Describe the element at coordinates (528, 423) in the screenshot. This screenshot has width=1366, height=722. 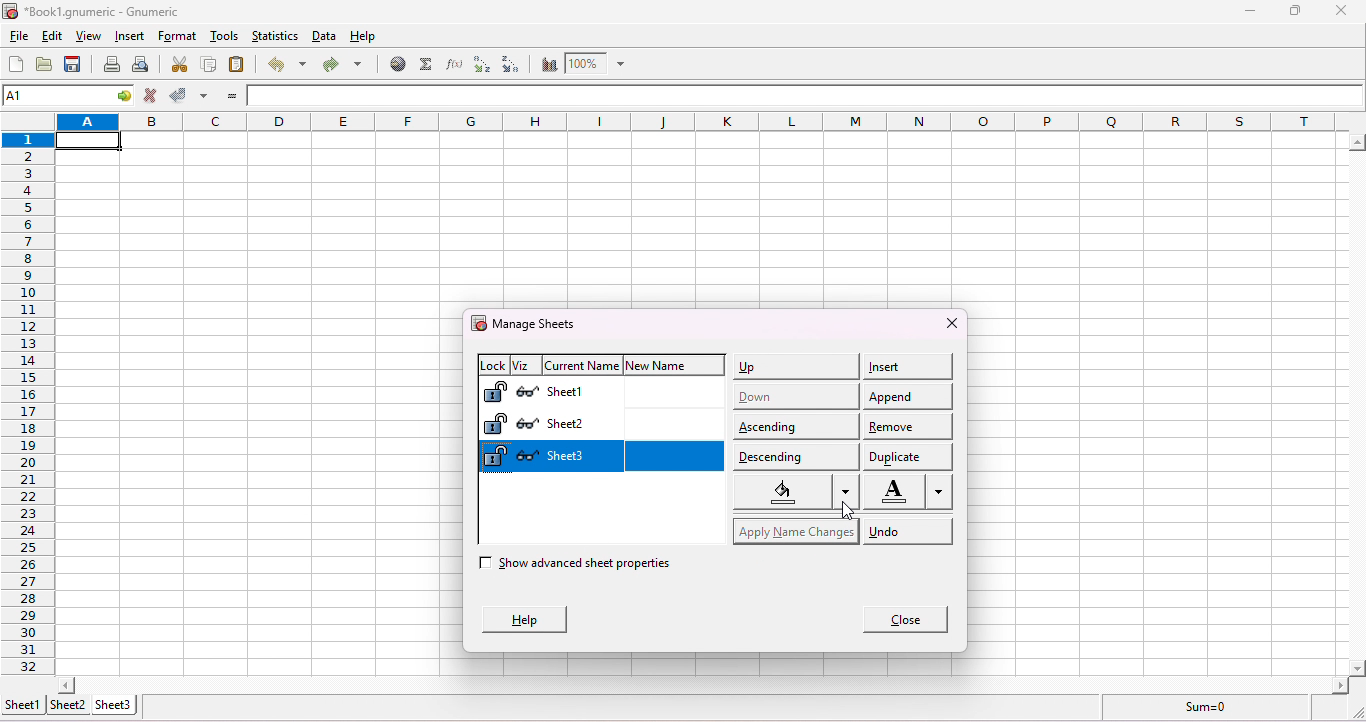
I see `Hide sheet 2` at that location.